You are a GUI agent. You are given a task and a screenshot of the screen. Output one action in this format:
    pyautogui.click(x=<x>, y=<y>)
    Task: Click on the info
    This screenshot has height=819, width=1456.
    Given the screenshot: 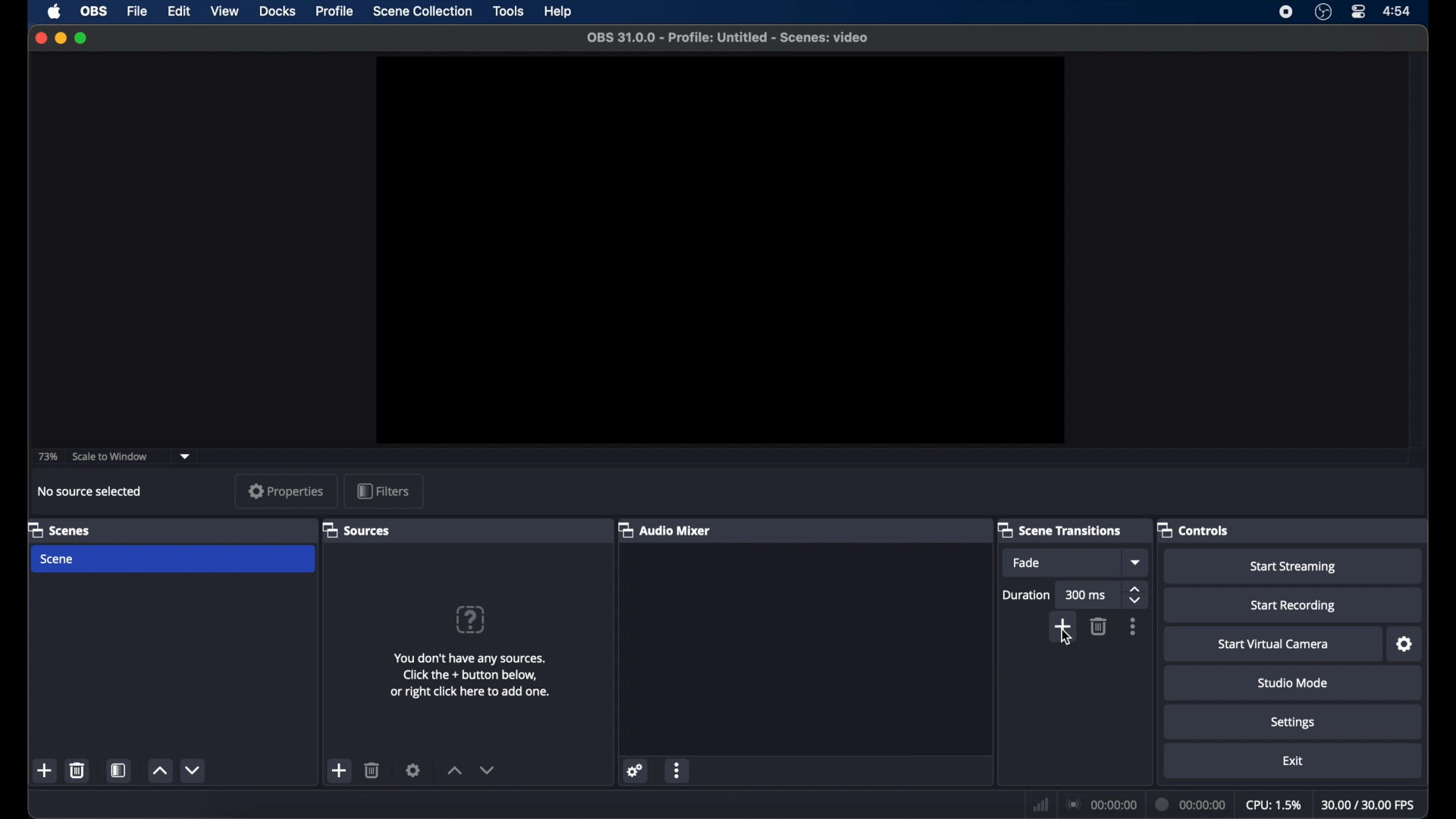 What is the action you would take?
    pyautogui.click(x=470, y=675)
    